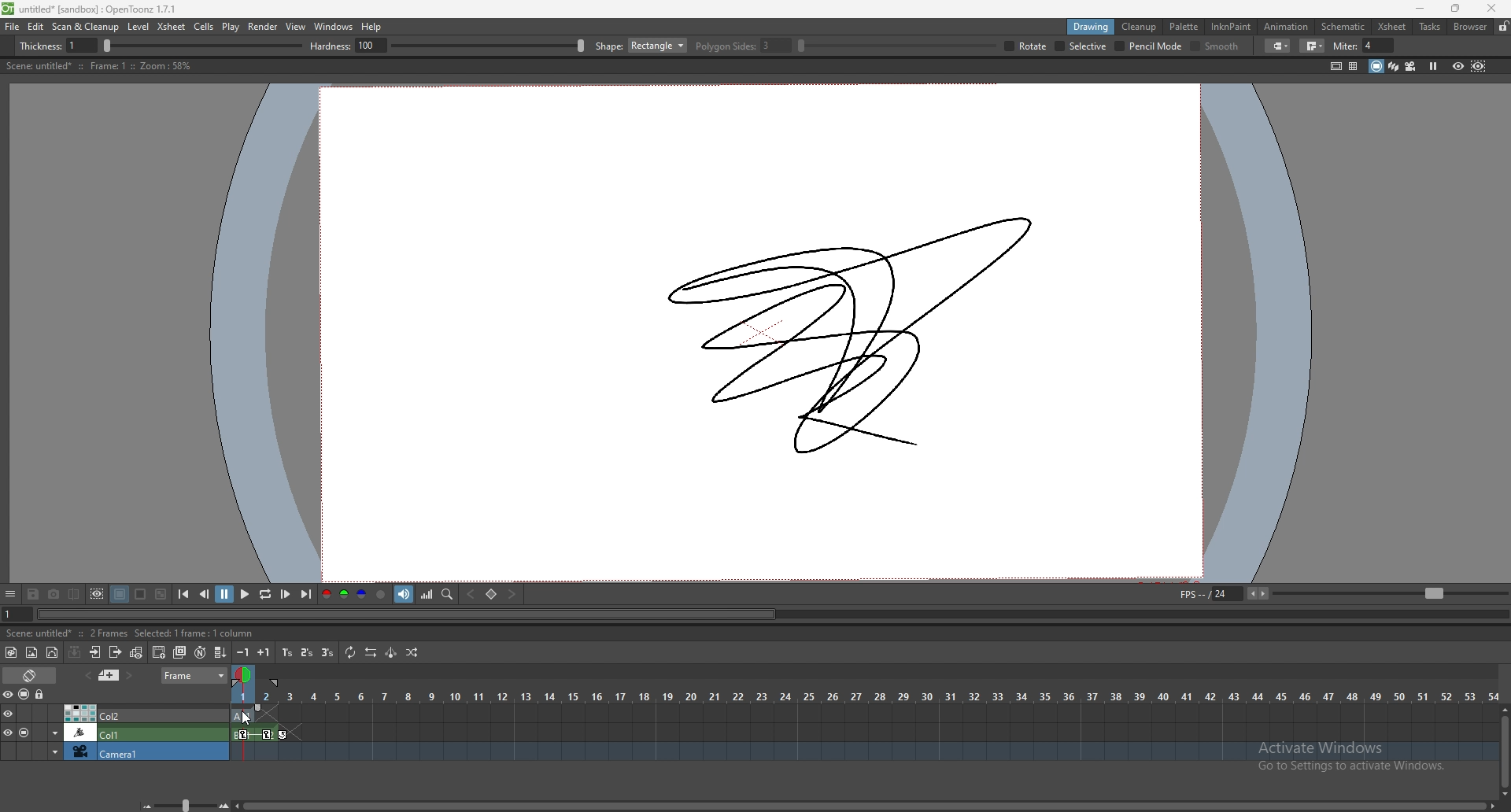  What do you see at coordinates (1081, 46) in the screenshot?
I see `selective` at bounding box center [1081, 46].